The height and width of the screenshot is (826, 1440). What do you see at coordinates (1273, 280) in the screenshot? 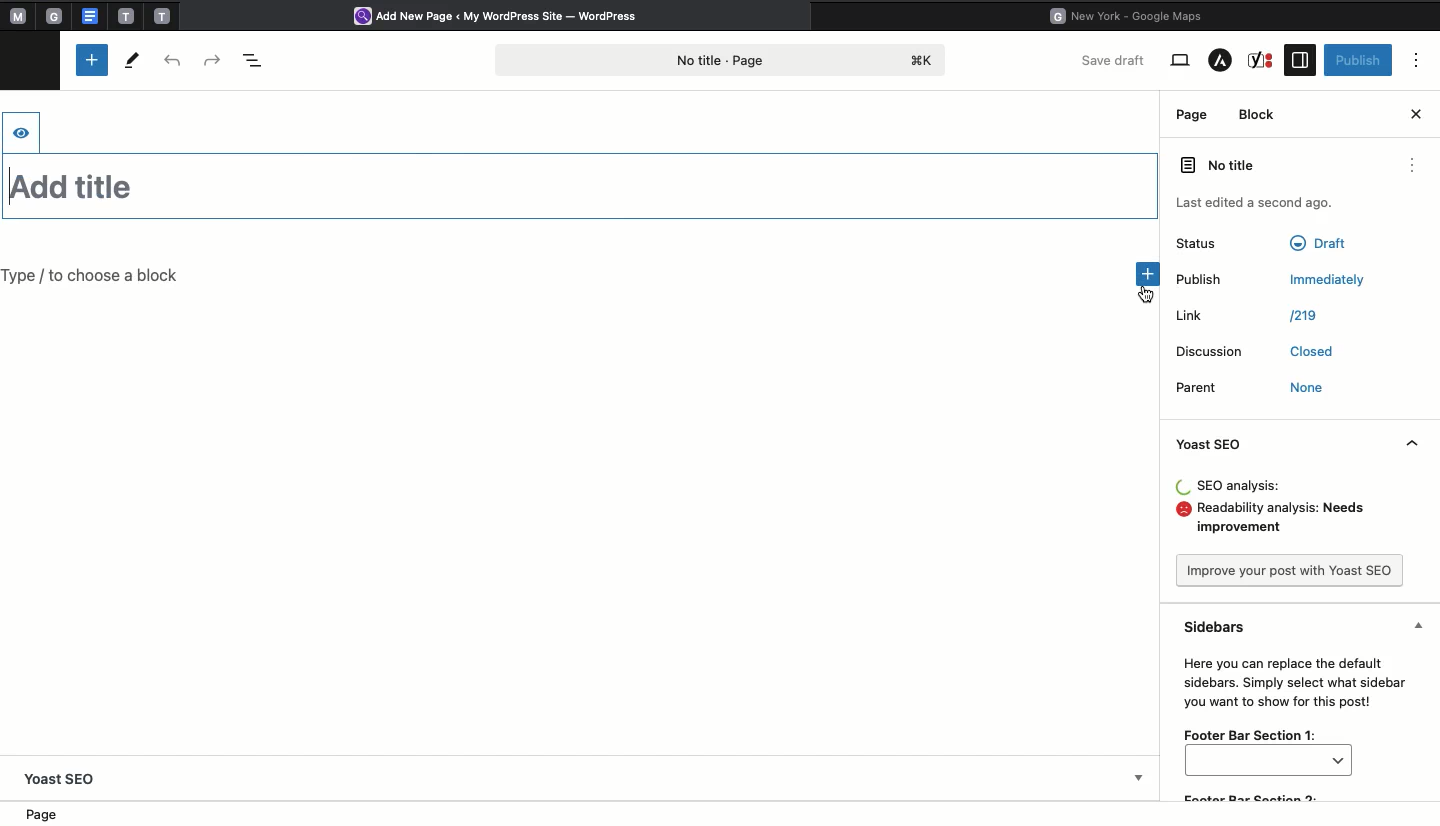
I see `Publish` at bounding box center [1273, 280].